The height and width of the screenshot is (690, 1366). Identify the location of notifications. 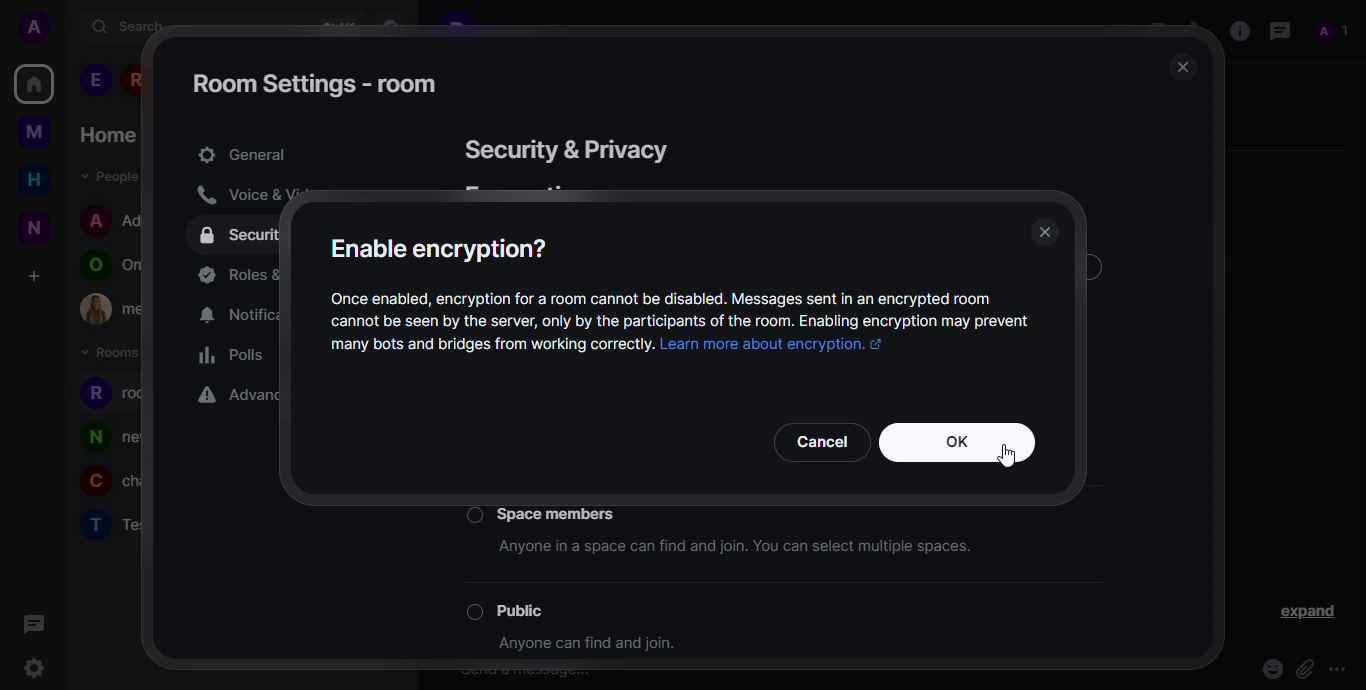
(231, 316).